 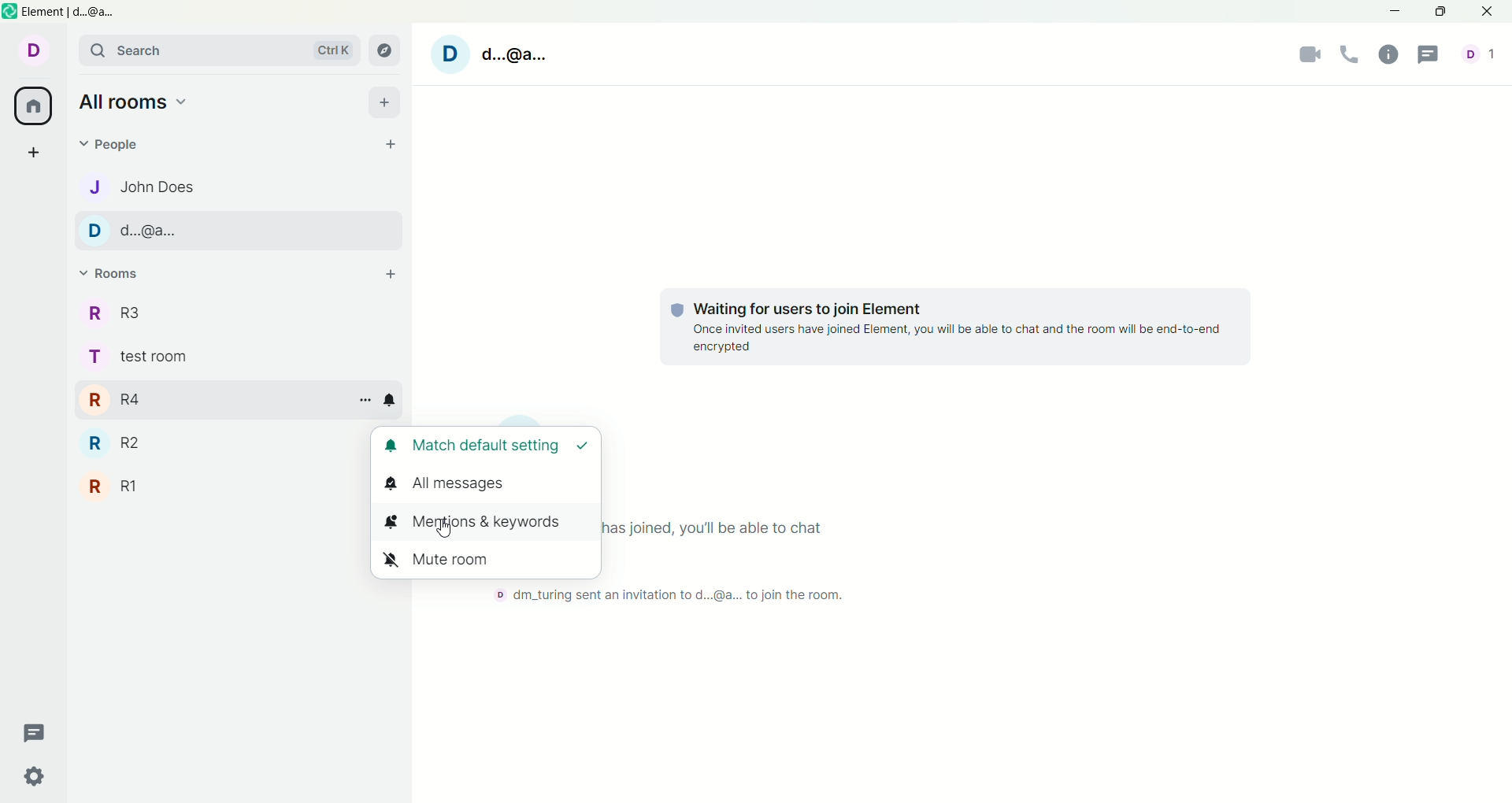 What do you see at coordinates (513, 55) in the screenshot?
I see `d...@a...` at bounding box center [513, 55].